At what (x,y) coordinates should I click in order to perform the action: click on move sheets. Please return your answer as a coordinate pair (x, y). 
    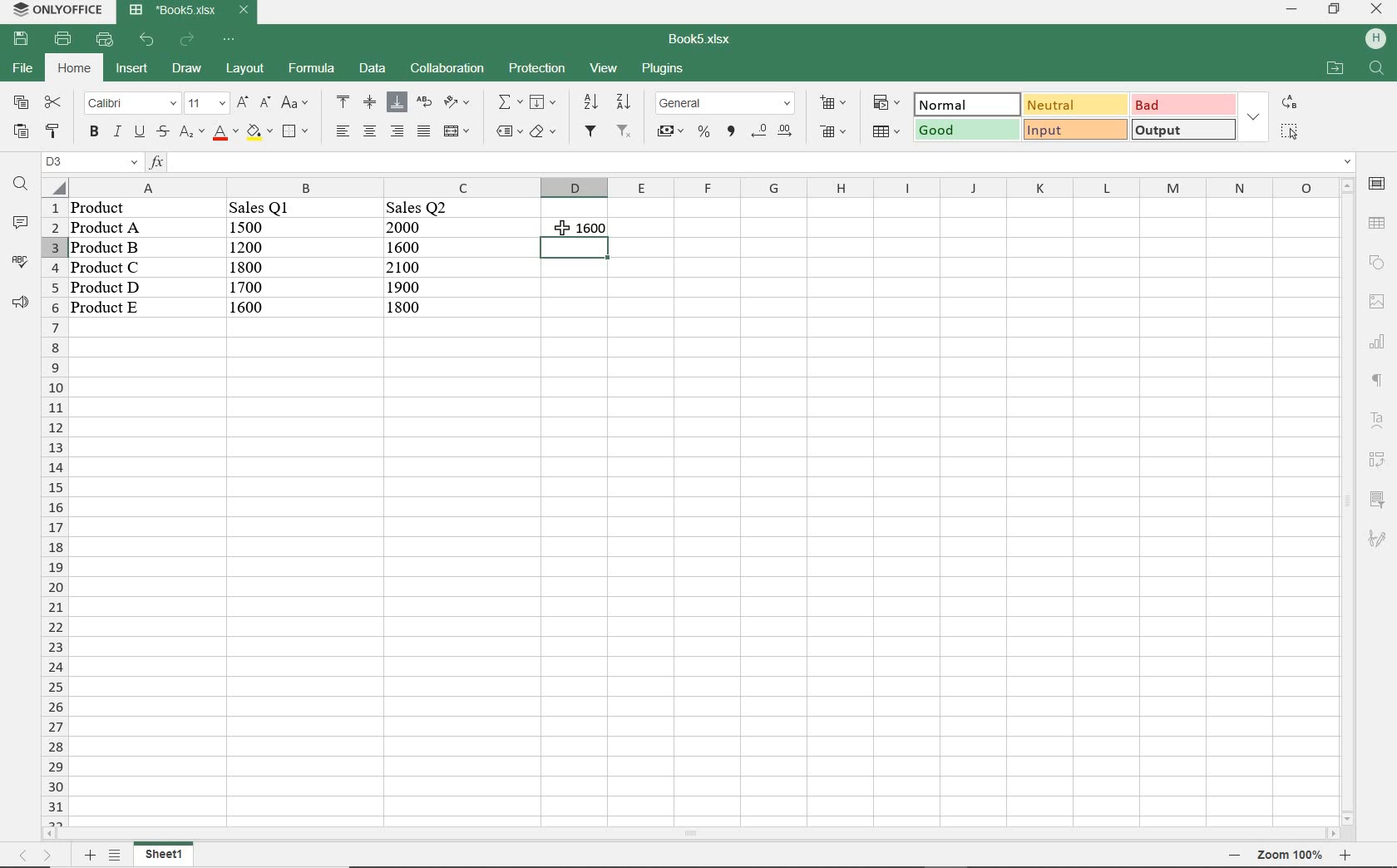
    Looking at the image, I should click on (40, 857).